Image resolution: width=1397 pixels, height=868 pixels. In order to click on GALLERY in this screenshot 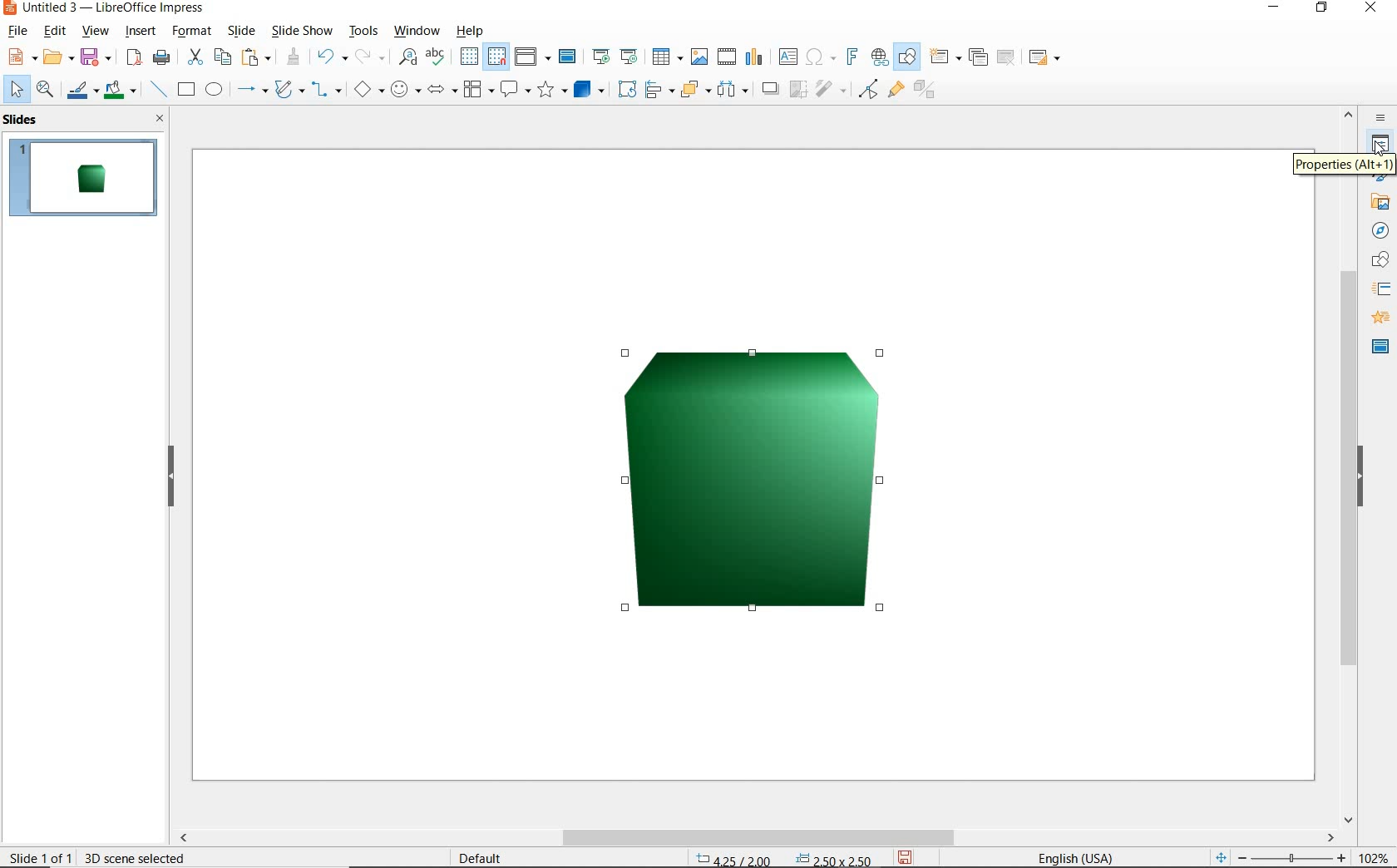, I will do `click(1380, 204)`.